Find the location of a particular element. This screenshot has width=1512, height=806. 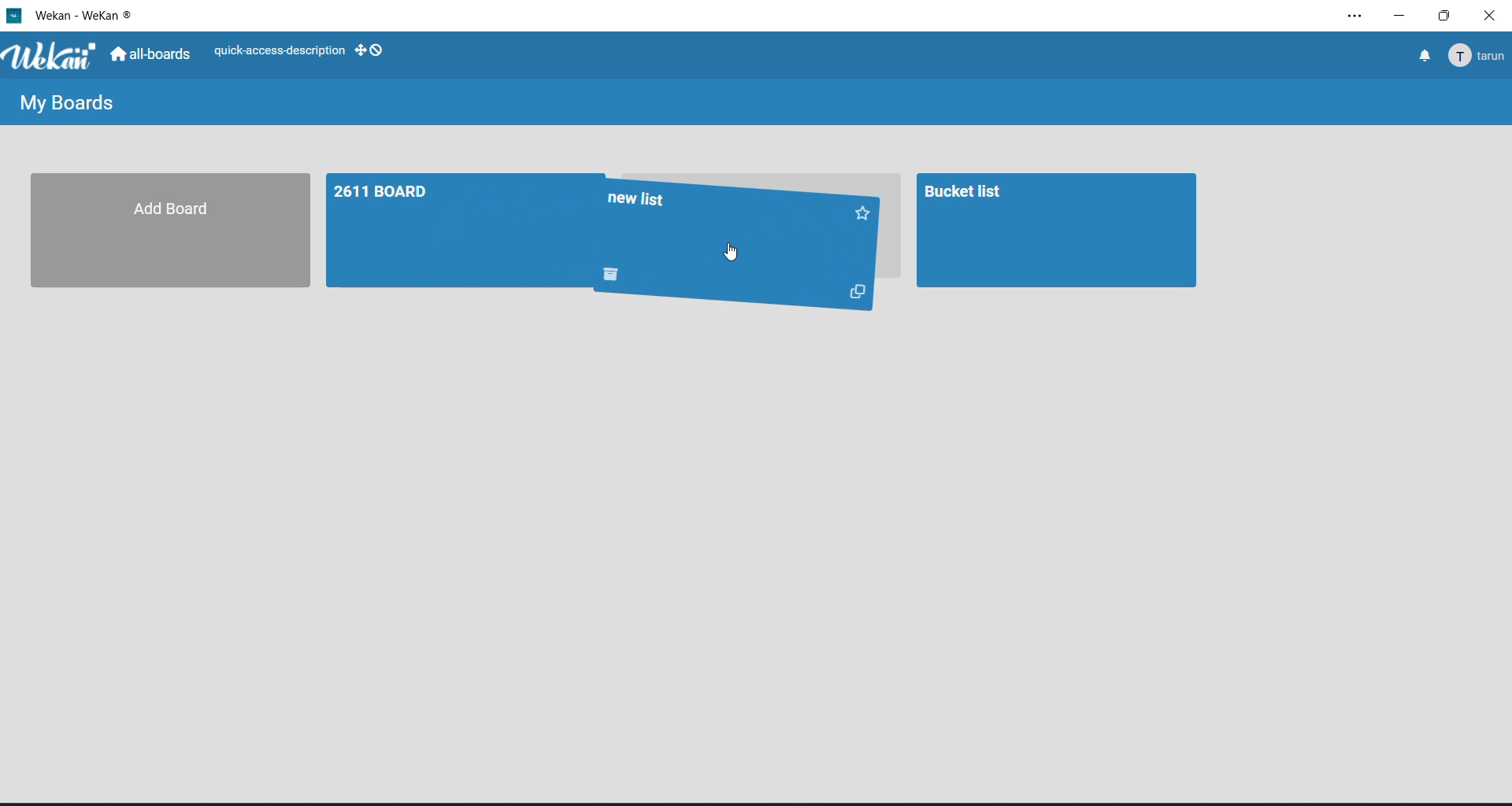

Copy is located at coordinates (854, 296).